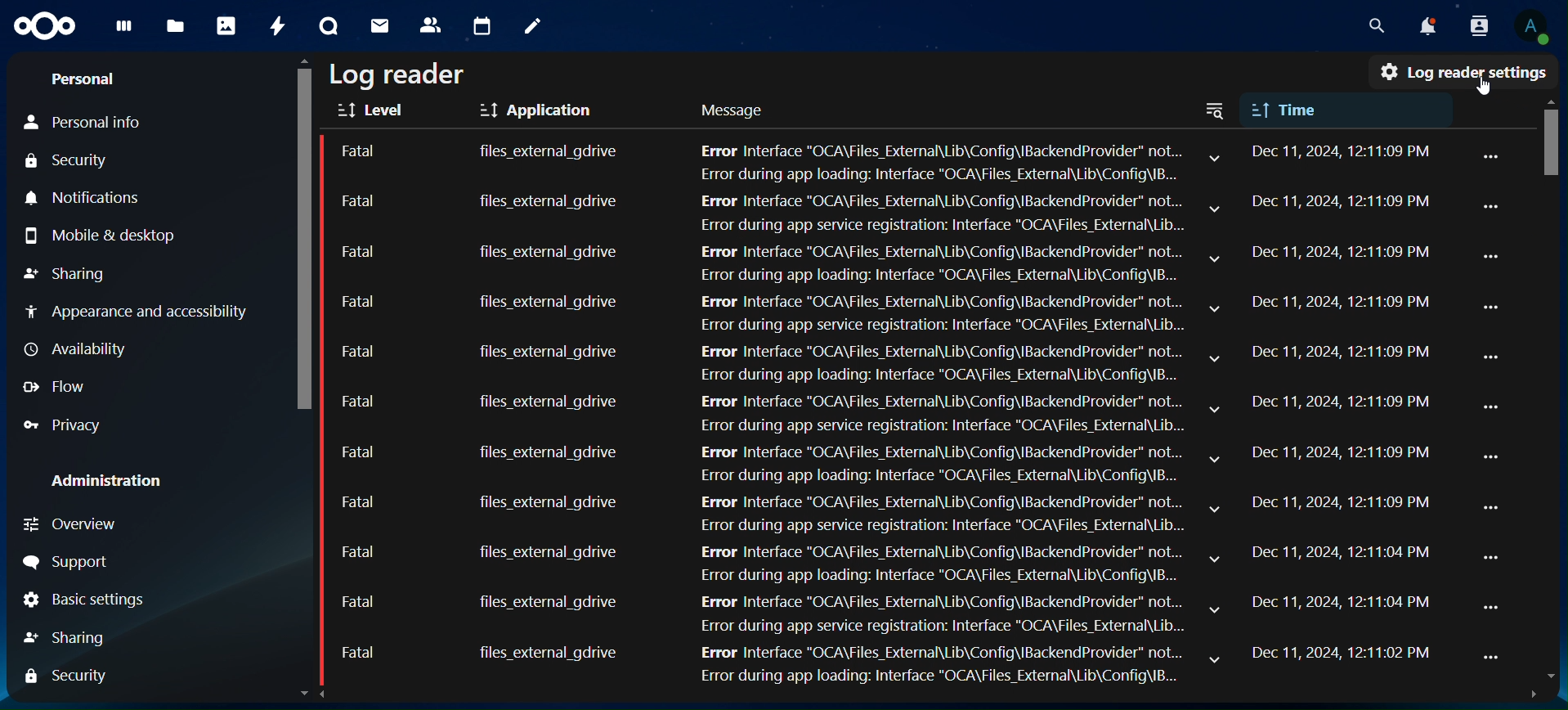 The height and width of the screenshot is (710, 1568). What do you see at coordinates (225, 28) in the screenshot?
I see `photos` at bounding box center [225, 28].